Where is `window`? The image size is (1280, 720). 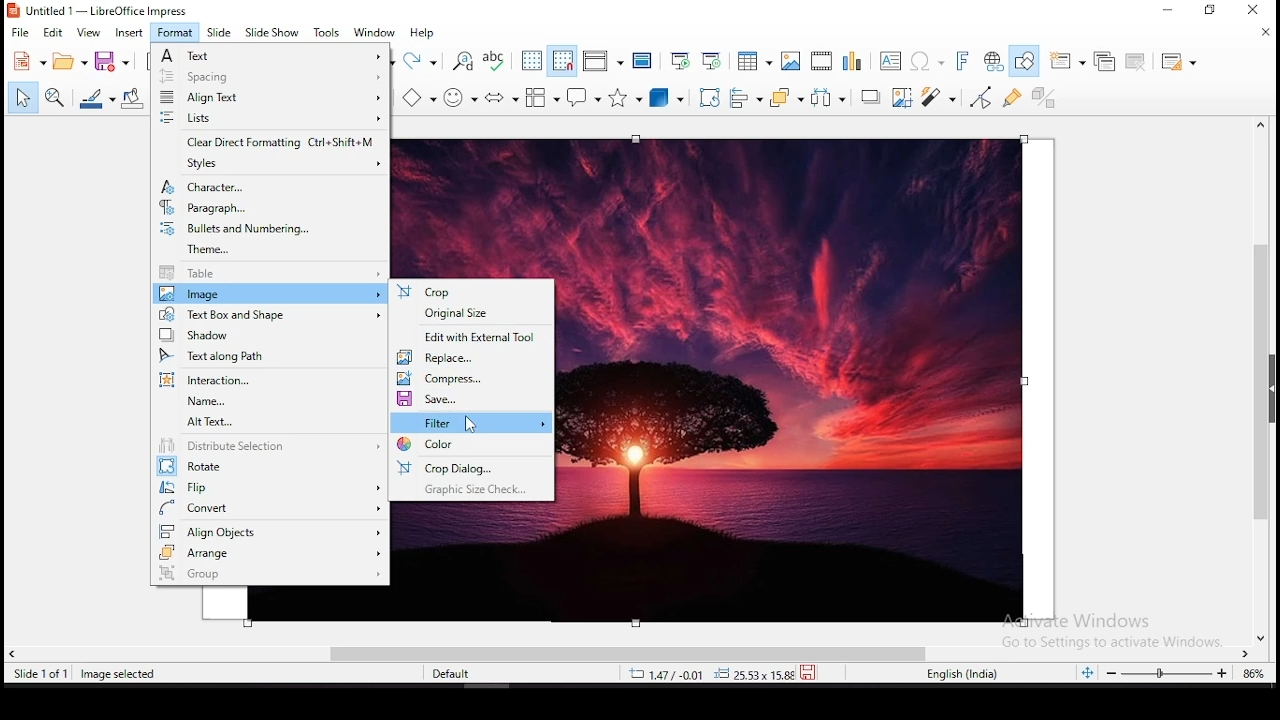
window is located at coordinates (377, 32).